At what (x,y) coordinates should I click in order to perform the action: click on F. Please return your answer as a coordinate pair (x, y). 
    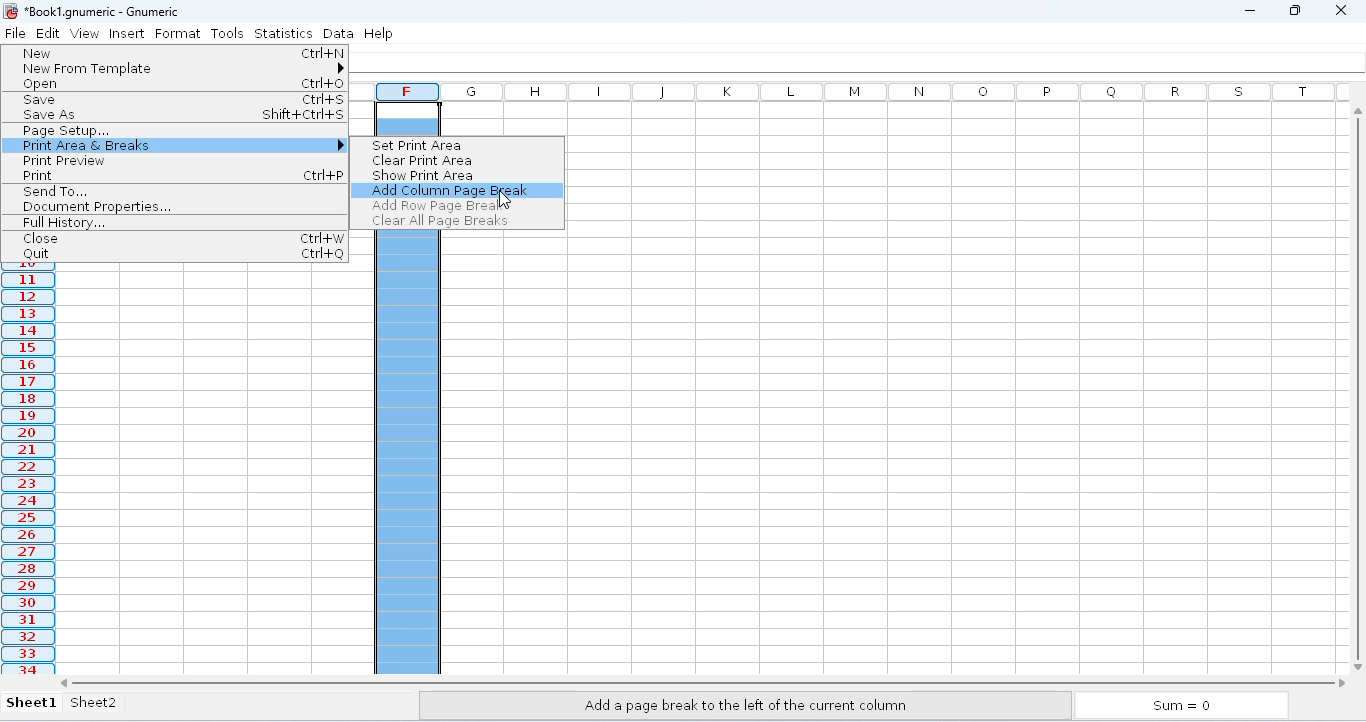
    Looking at the image, I should click on (407, 91).